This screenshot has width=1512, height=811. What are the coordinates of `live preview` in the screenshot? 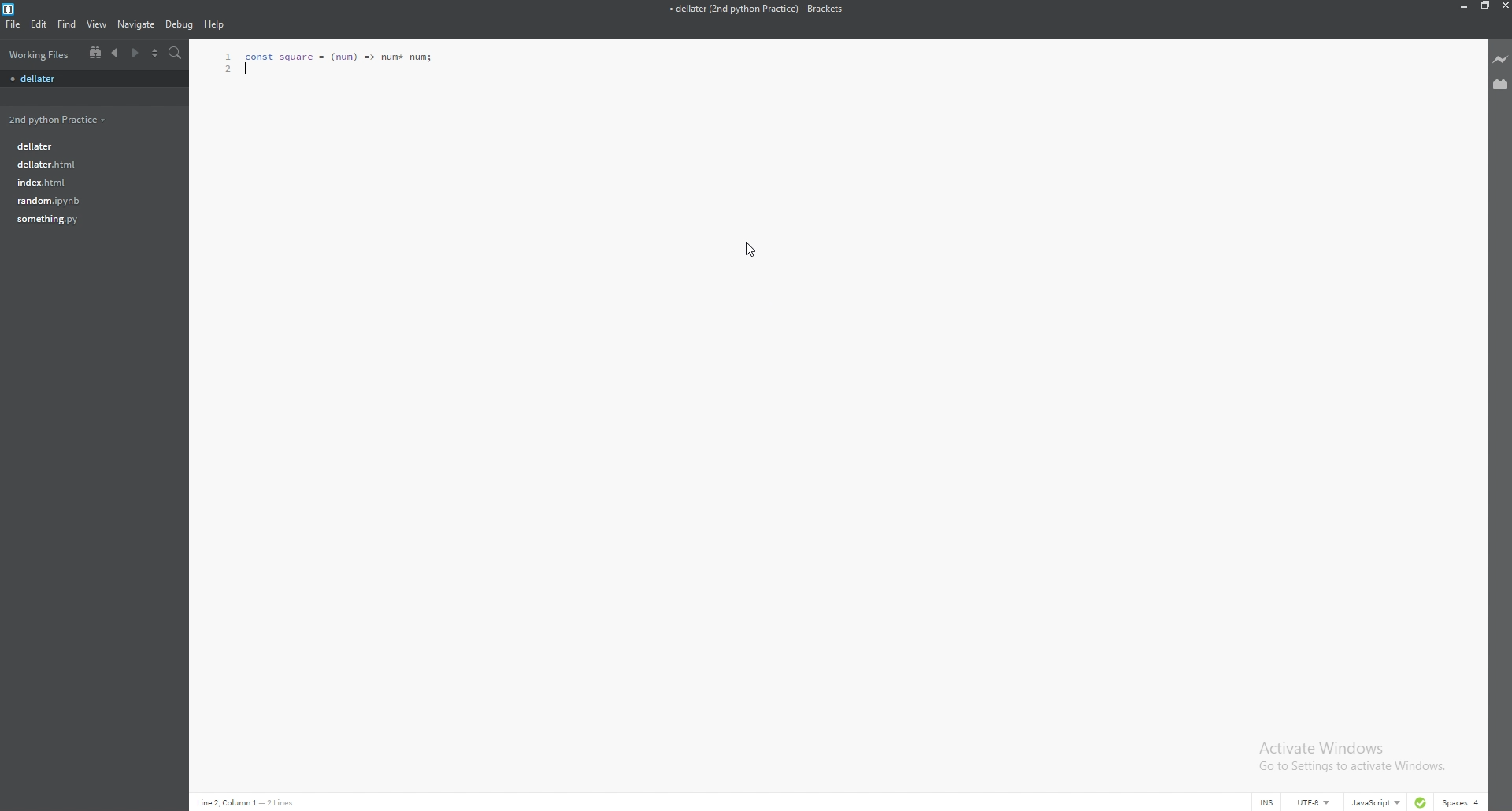 It's located at (1501, 59).